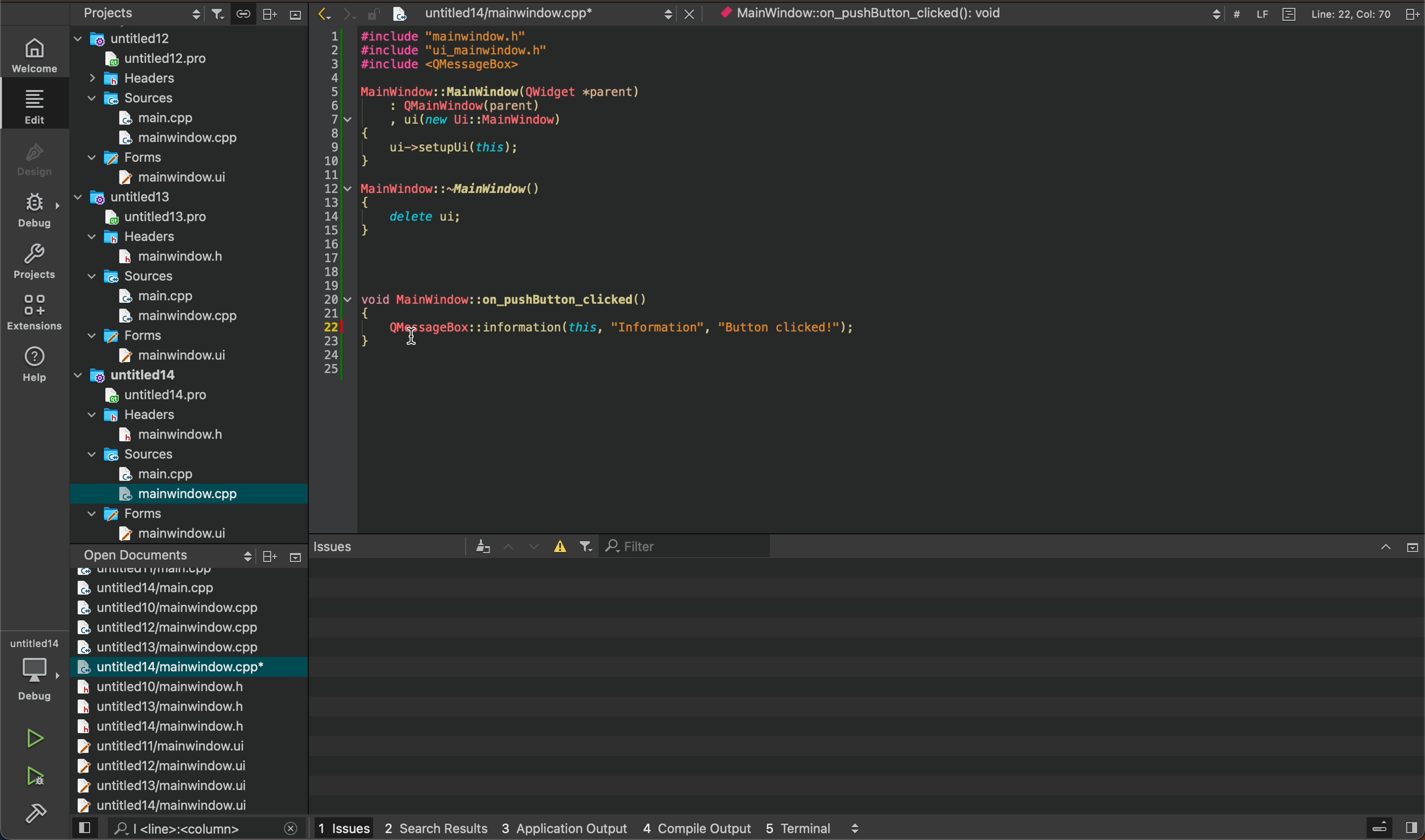 This screenshot has height=840, width=1425. What do you see at coordinates (591, 828) in the screenshot?
I see `logs` at bounding box center [591, 828].